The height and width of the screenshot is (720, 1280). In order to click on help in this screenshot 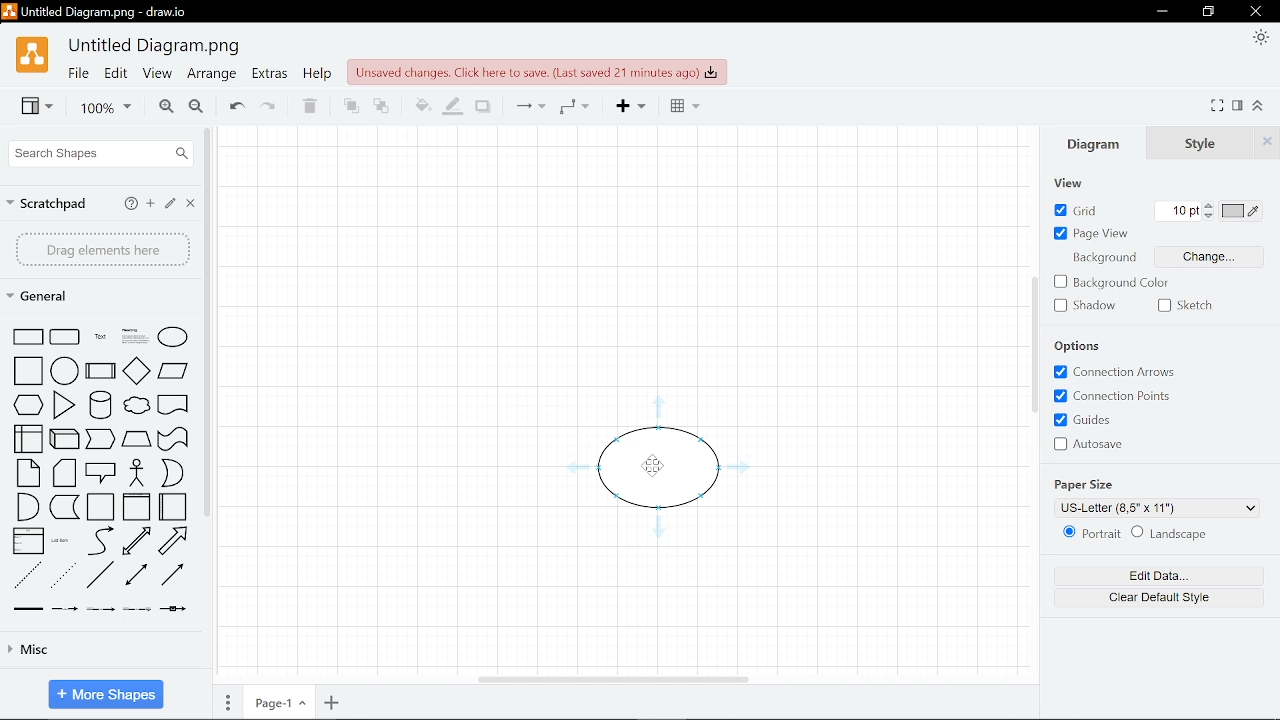, I will do `click(132, 204)`.